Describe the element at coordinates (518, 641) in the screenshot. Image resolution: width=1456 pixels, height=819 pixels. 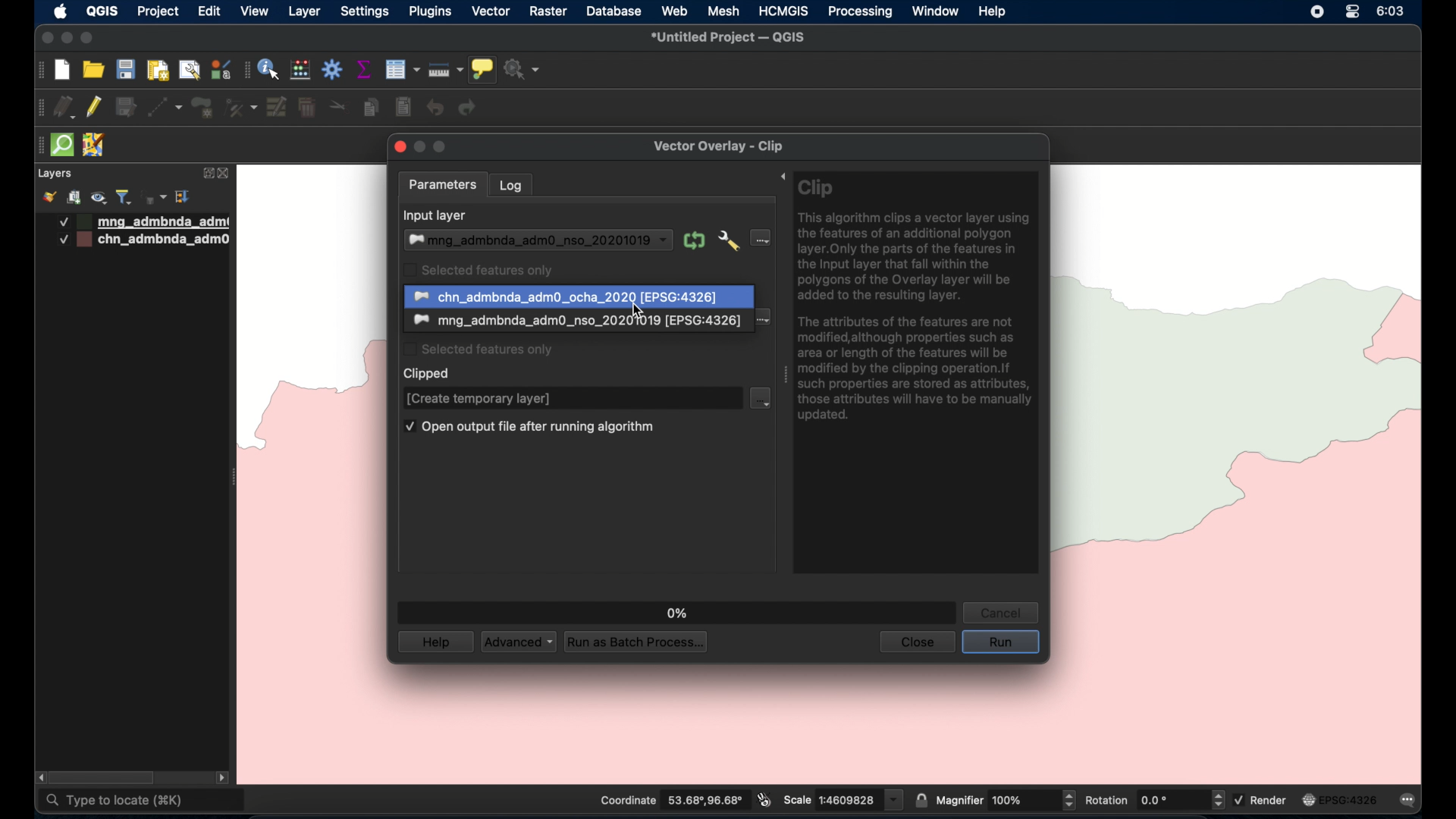
I see `advances` at that location.